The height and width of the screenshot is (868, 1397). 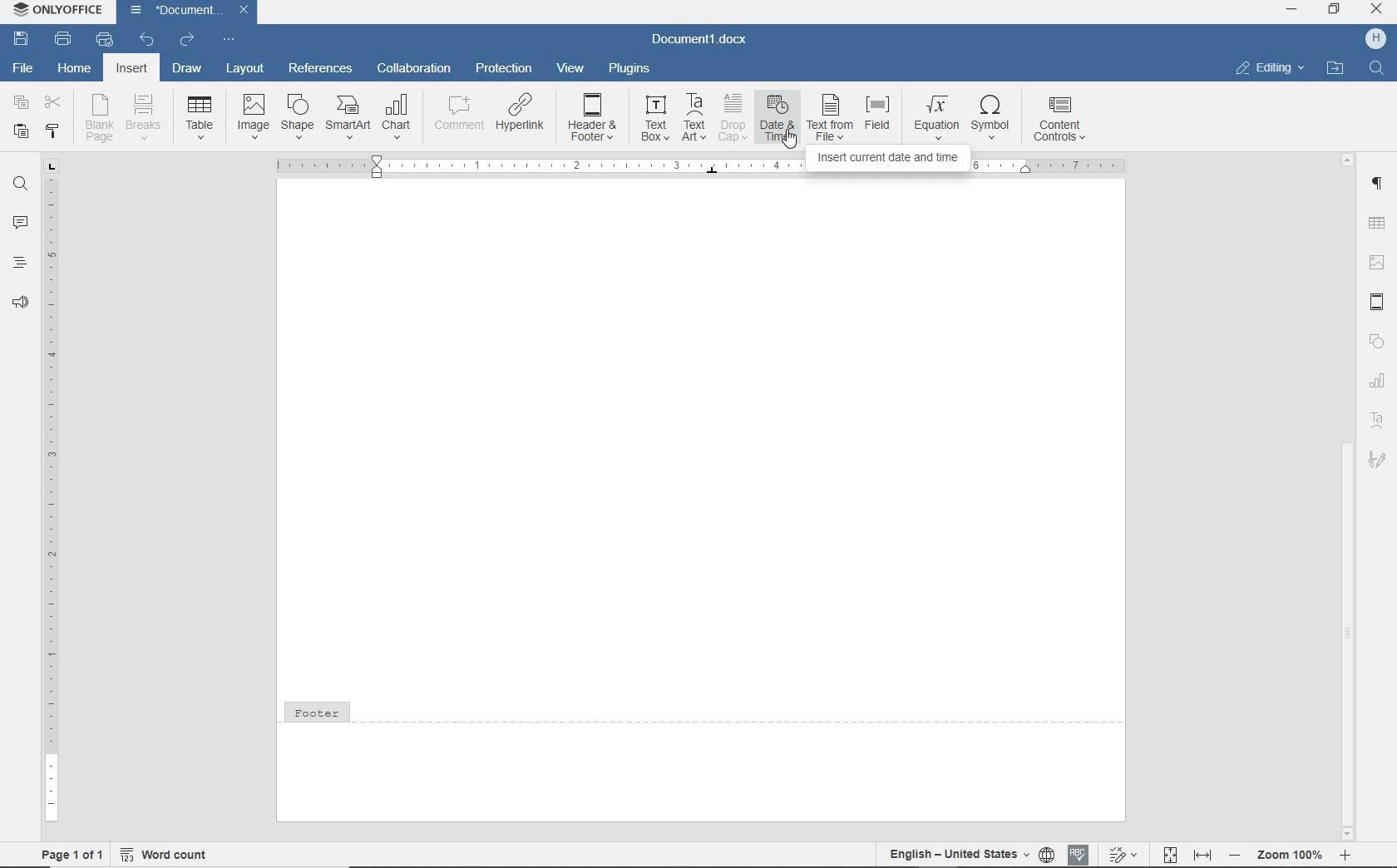 What do you see at coordinates (52, 132) in the screenshot?
I see `COPY STYLE` at bounding box center [52, 132].